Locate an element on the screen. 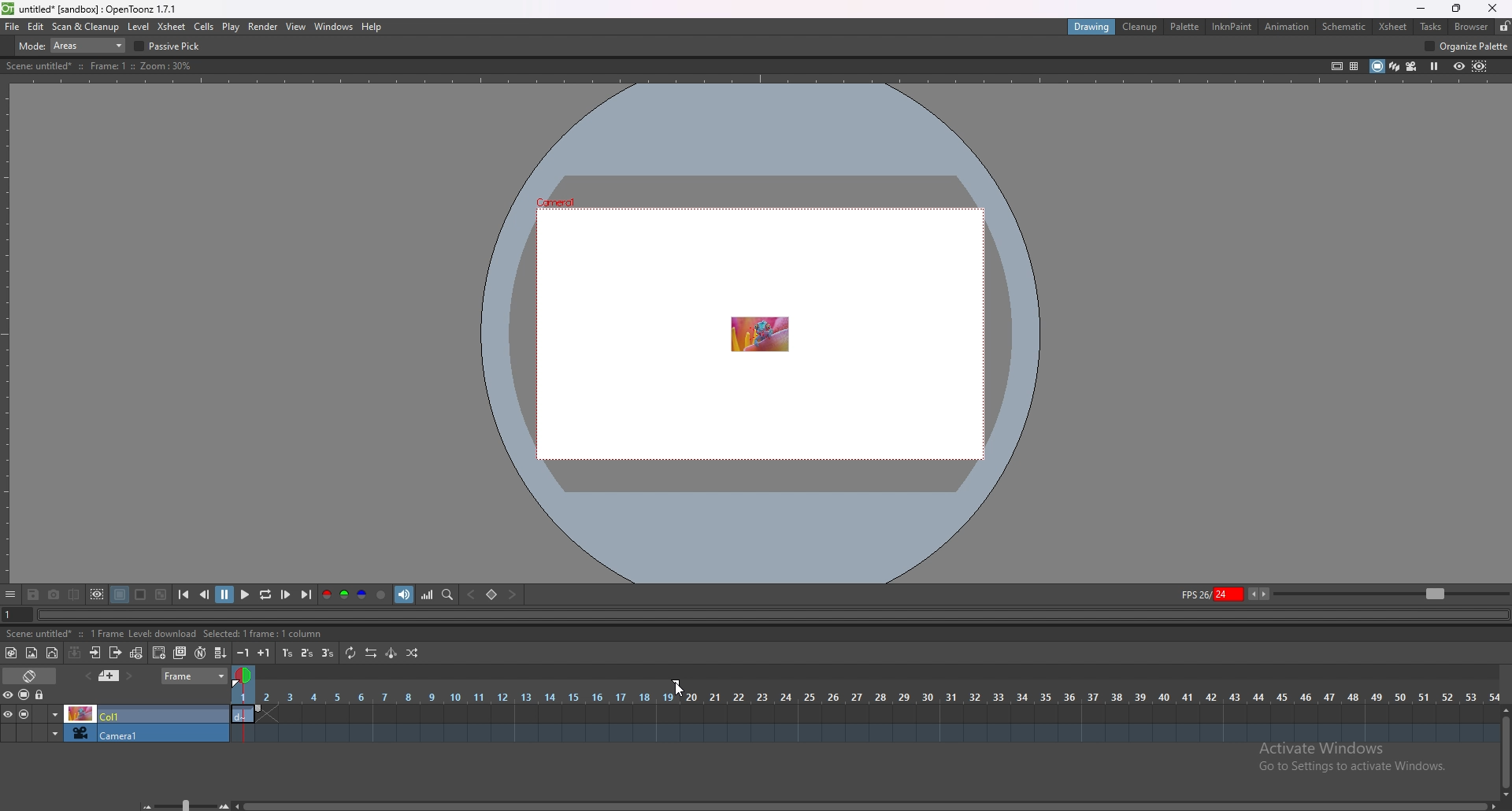 The width and height of the screenshot is (1512, 811). organize palette is located at coordinates (1467, 46).